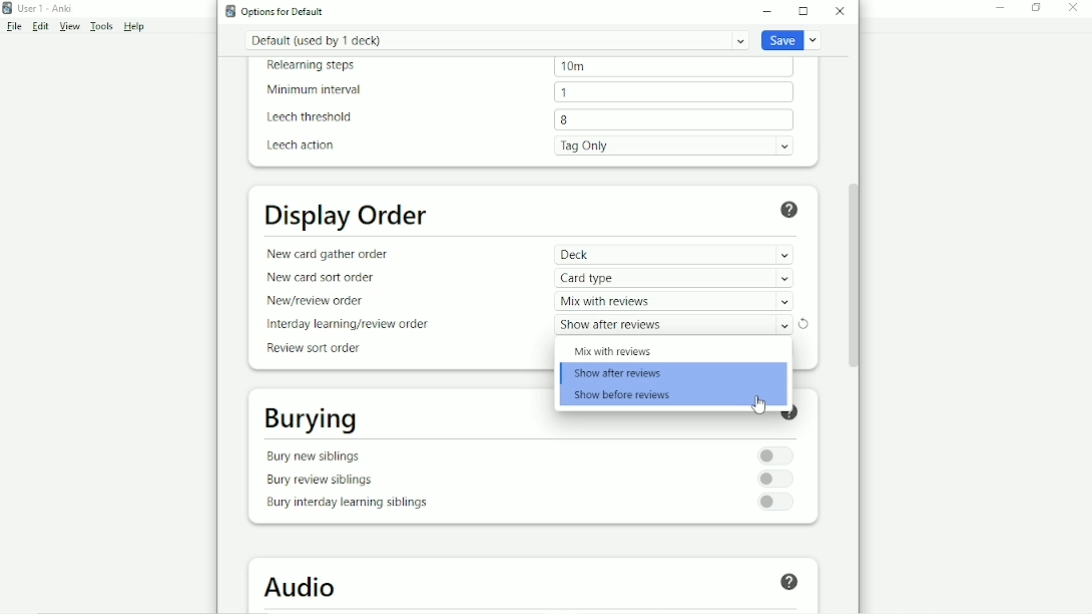  What do you see at coordinates (8, 8) in the screenshot?
I see `Anki logo` at bounding box center [8, 8].